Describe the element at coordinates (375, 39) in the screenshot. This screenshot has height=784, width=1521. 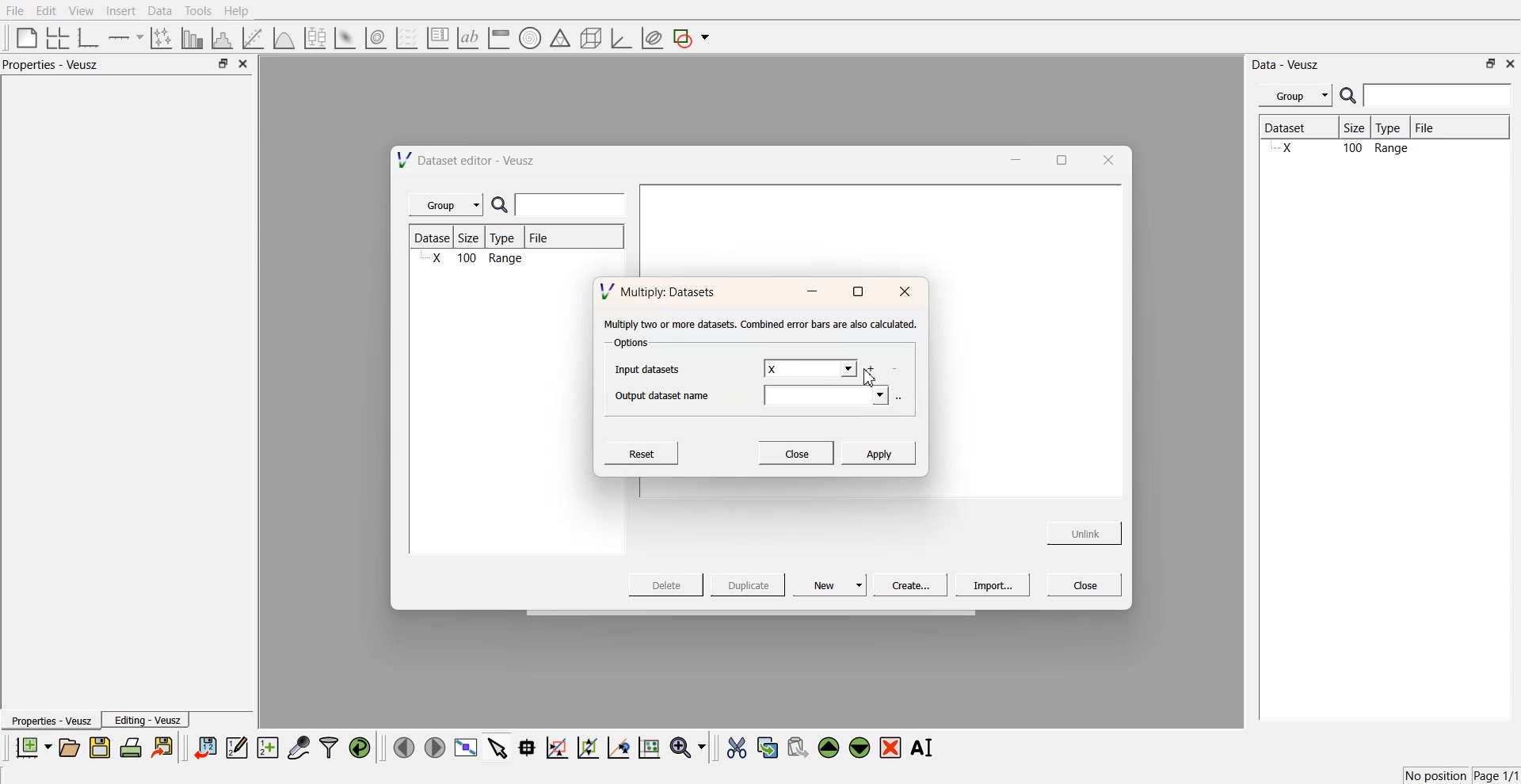
I see `plot a 2d data set as contour` at that location.